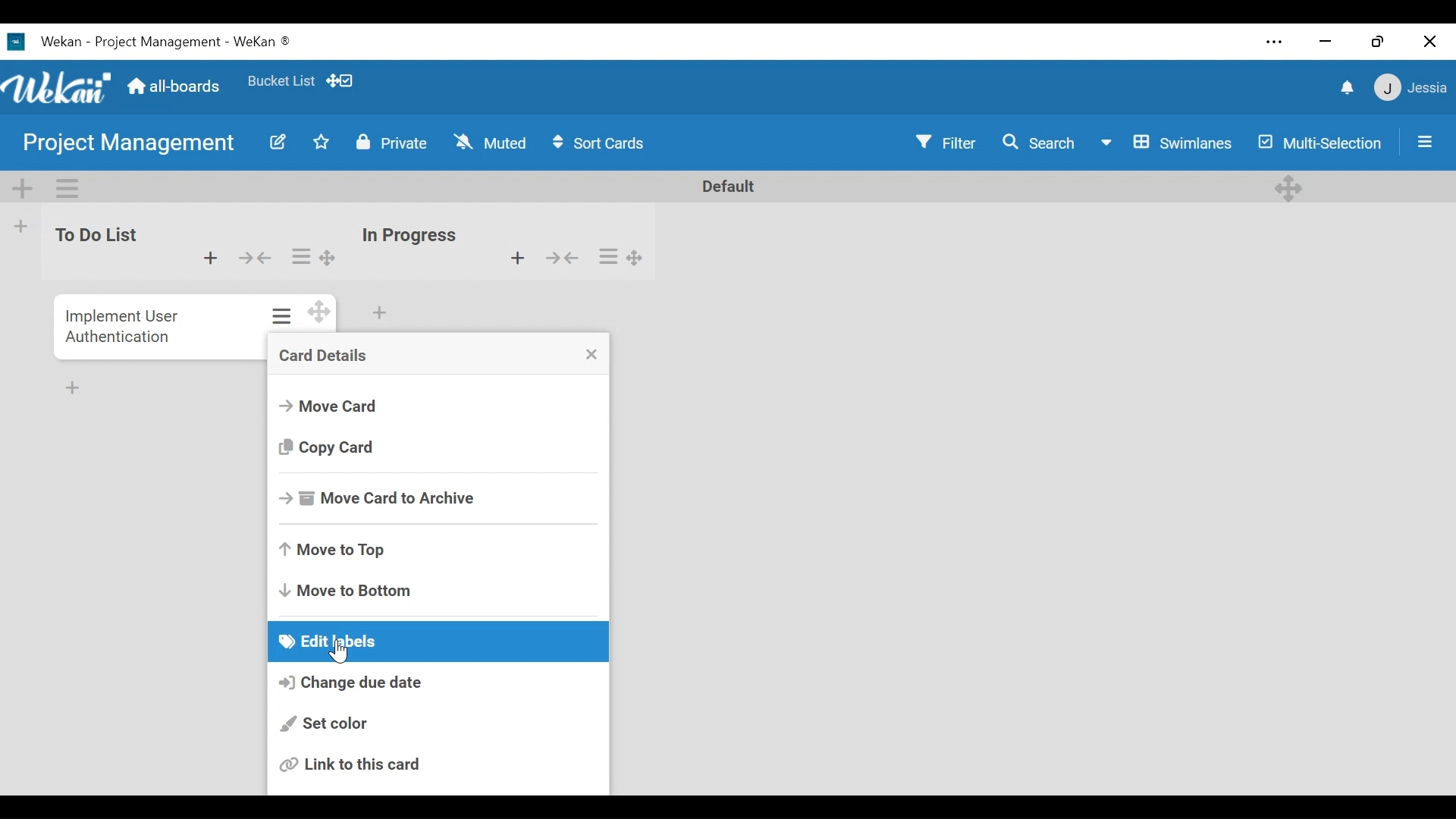 This screenshot has width=1456, height=819. I want to click on -& Move Card to Archive, so click(387, 498).